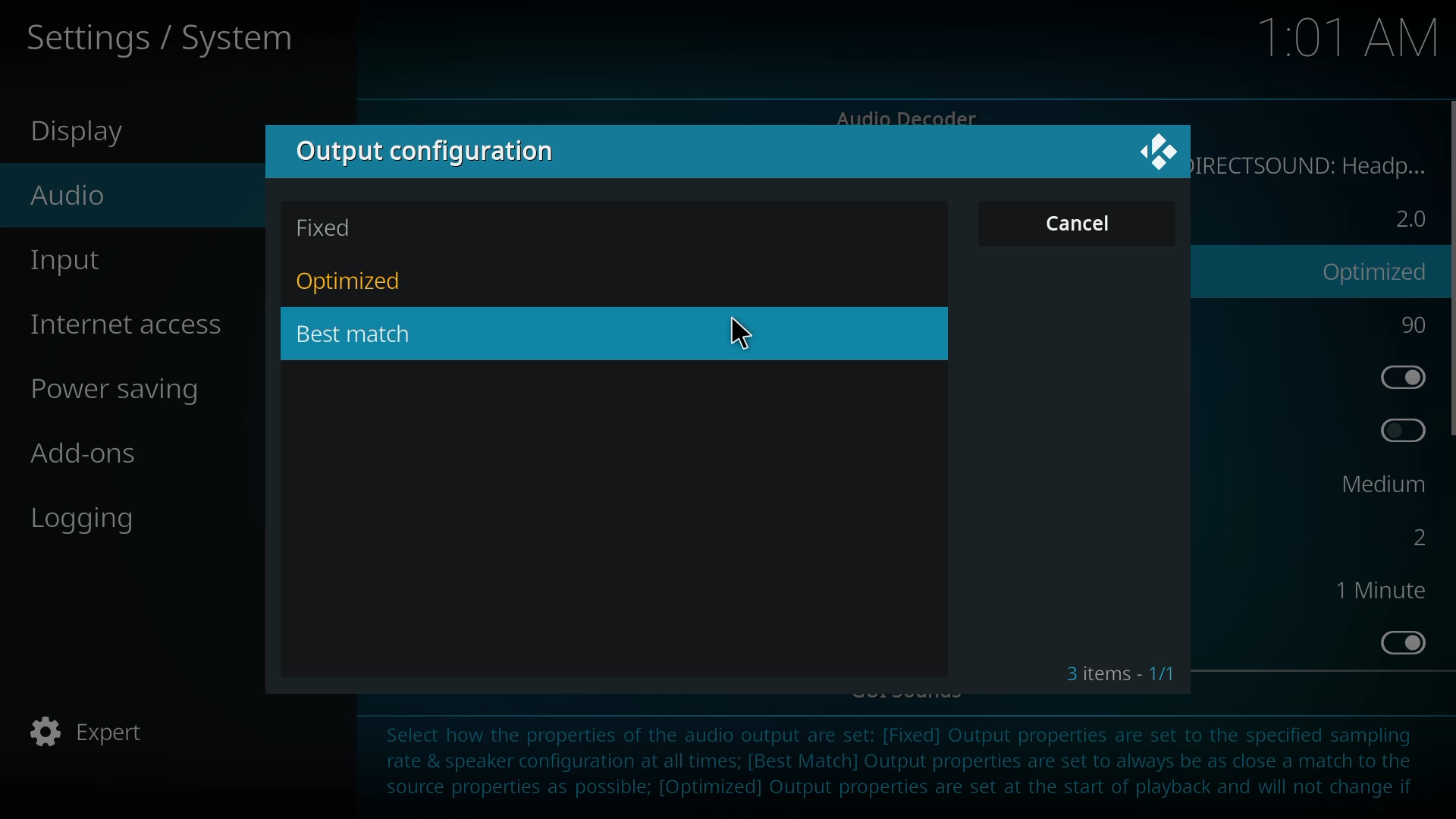  What do you see at coordinates (90, 730) in the screenshot?
I see `expert` at bounding box center [90, 730].